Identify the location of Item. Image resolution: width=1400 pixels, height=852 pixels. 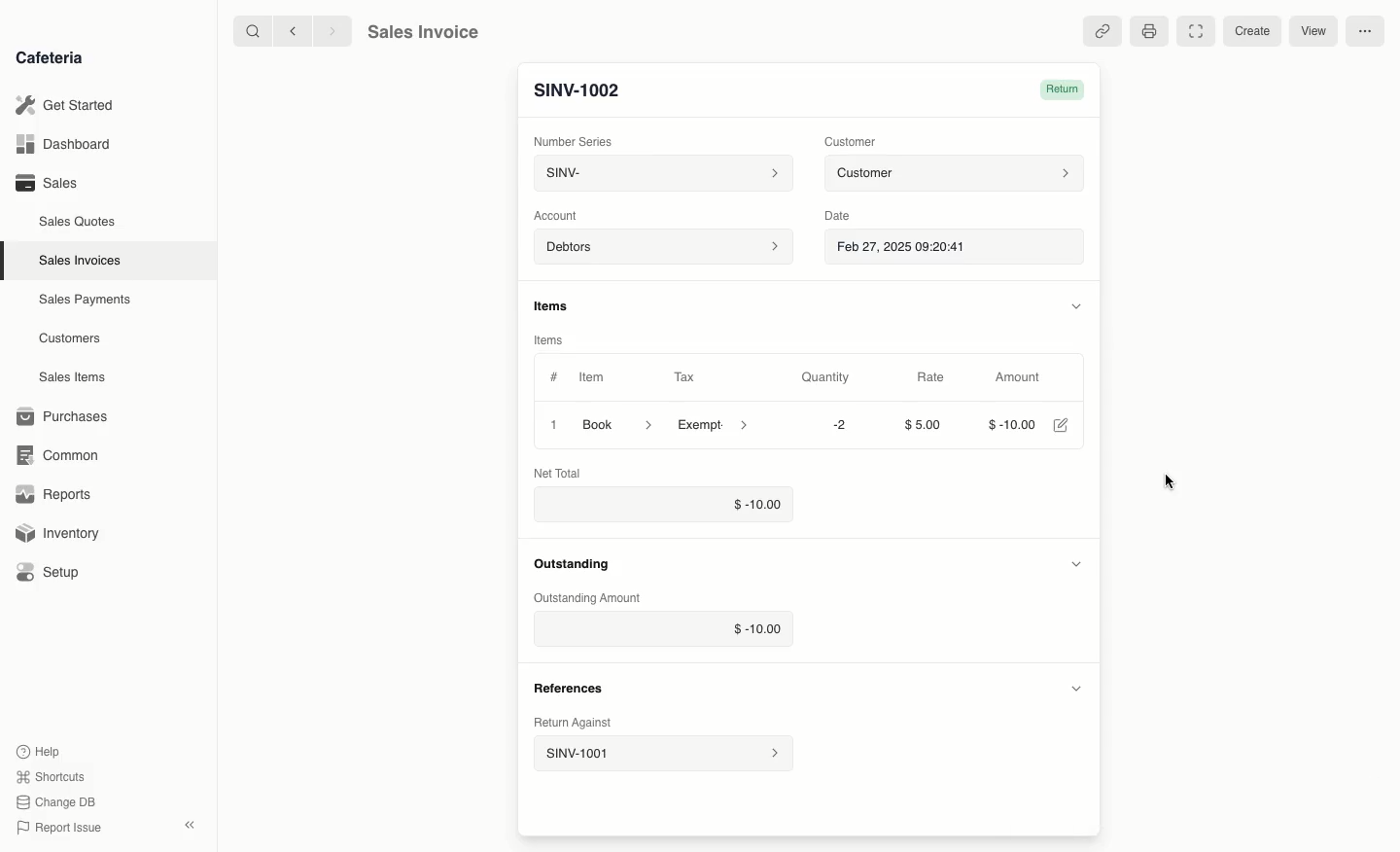
(592, 376).